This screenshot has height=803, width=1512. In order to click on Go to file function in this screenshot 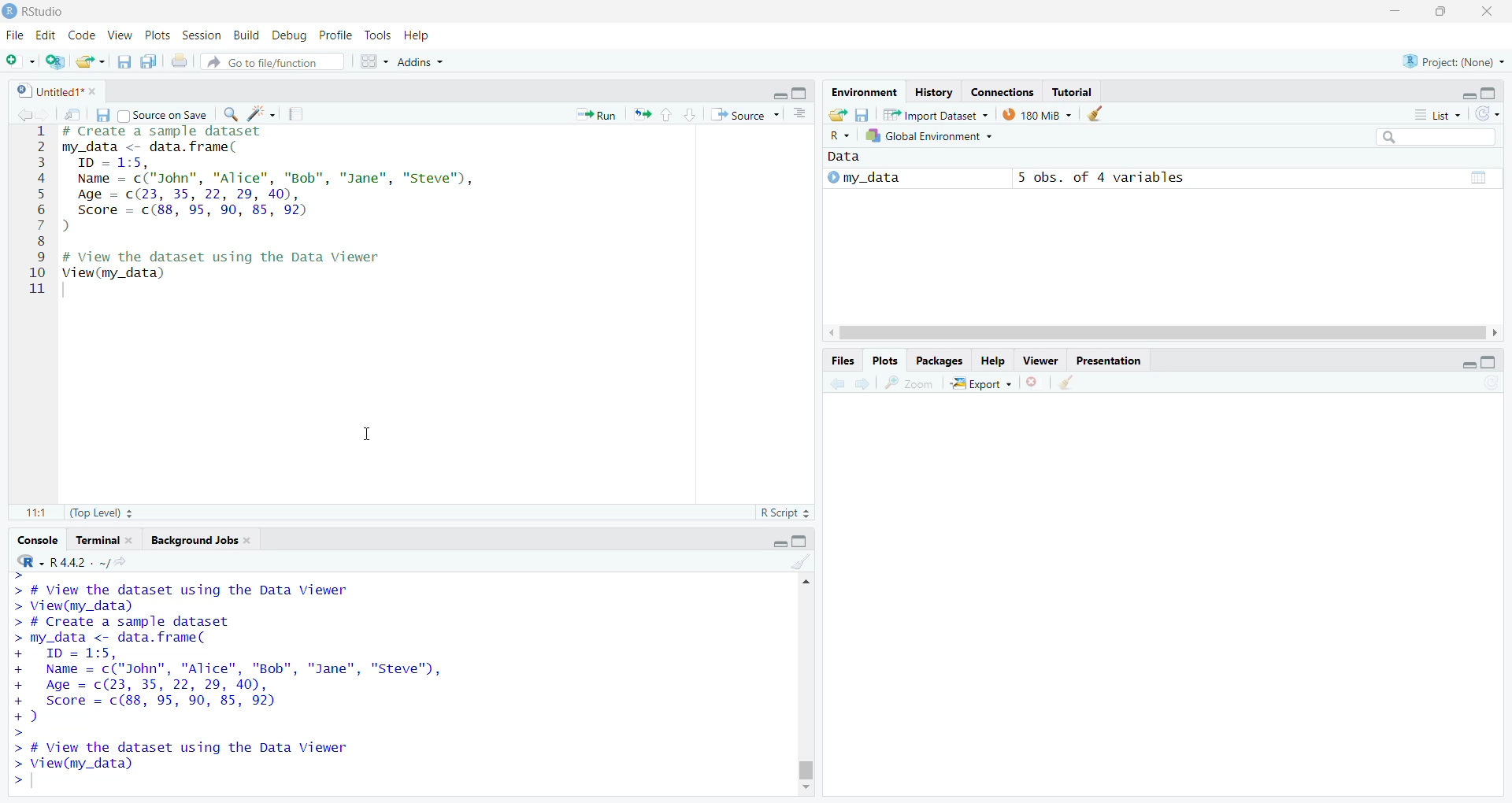, I will do `click(272, 61)`.